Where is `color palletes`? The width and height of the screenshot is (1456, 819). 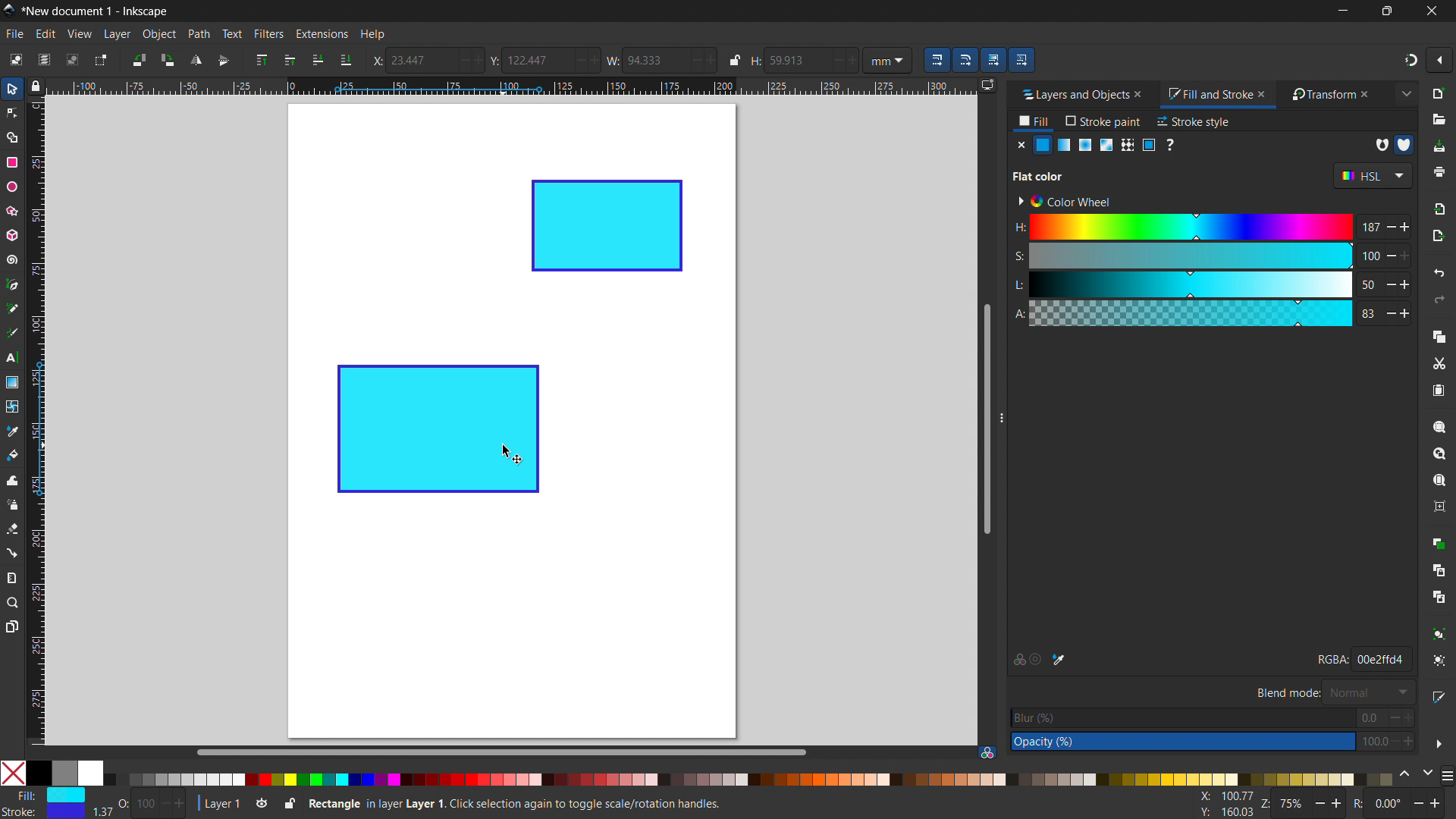
color palletes is located at coordinates (748, 779).